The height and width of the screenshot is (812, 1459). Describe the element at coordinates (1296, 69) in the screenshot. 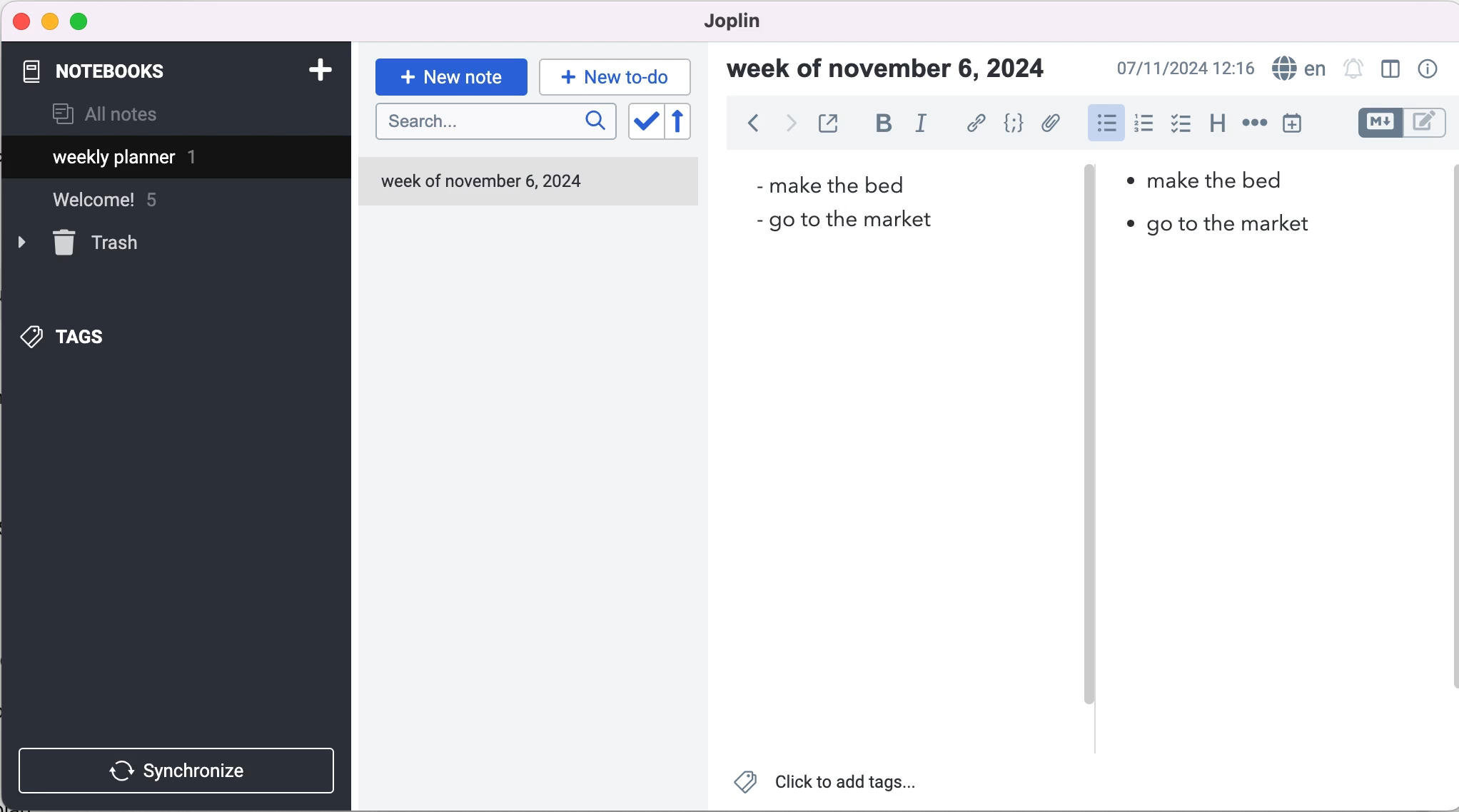

I see `language` at that location.